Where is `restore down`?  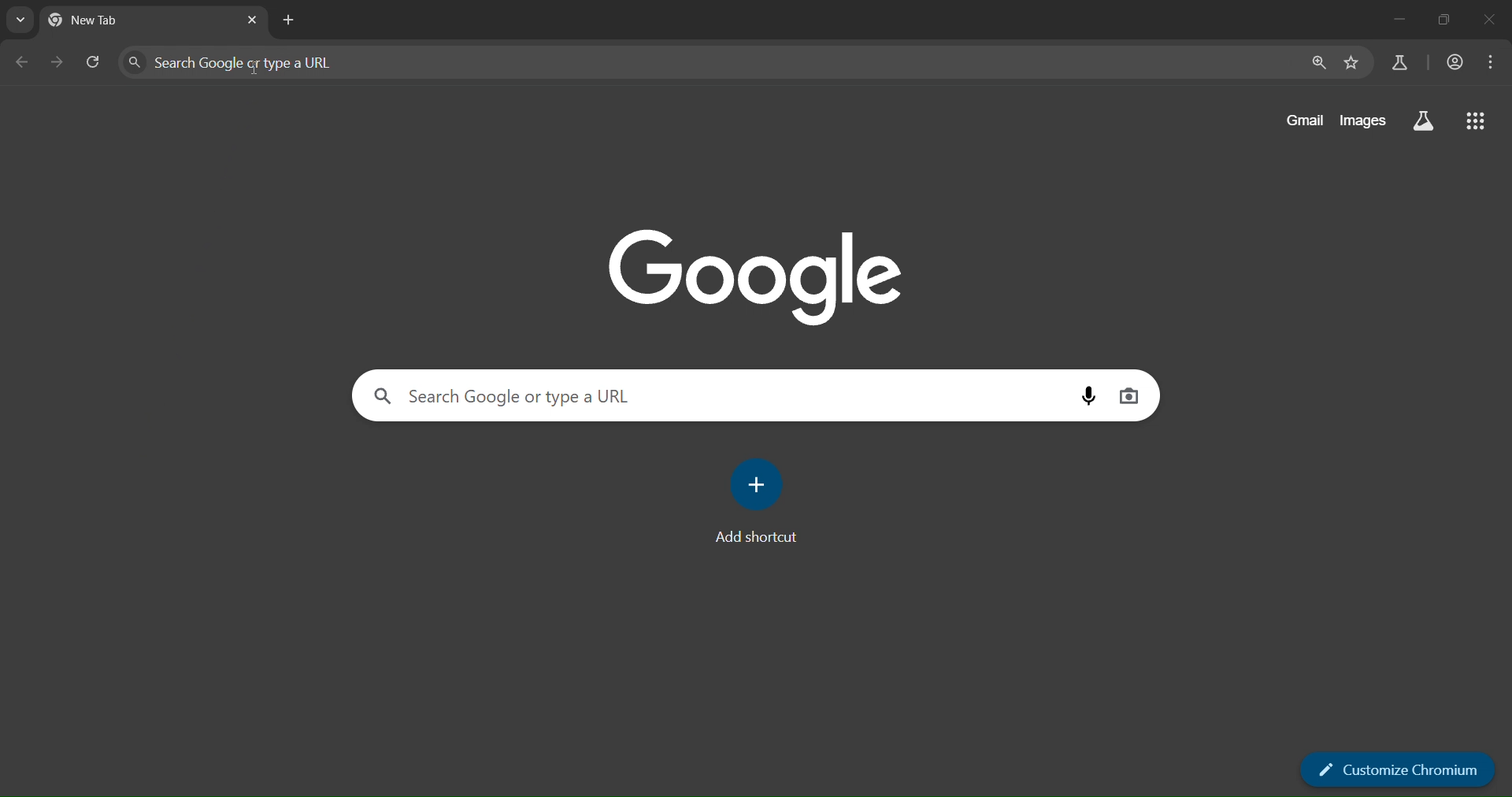
restore down is located at coordinates (1444, 21).